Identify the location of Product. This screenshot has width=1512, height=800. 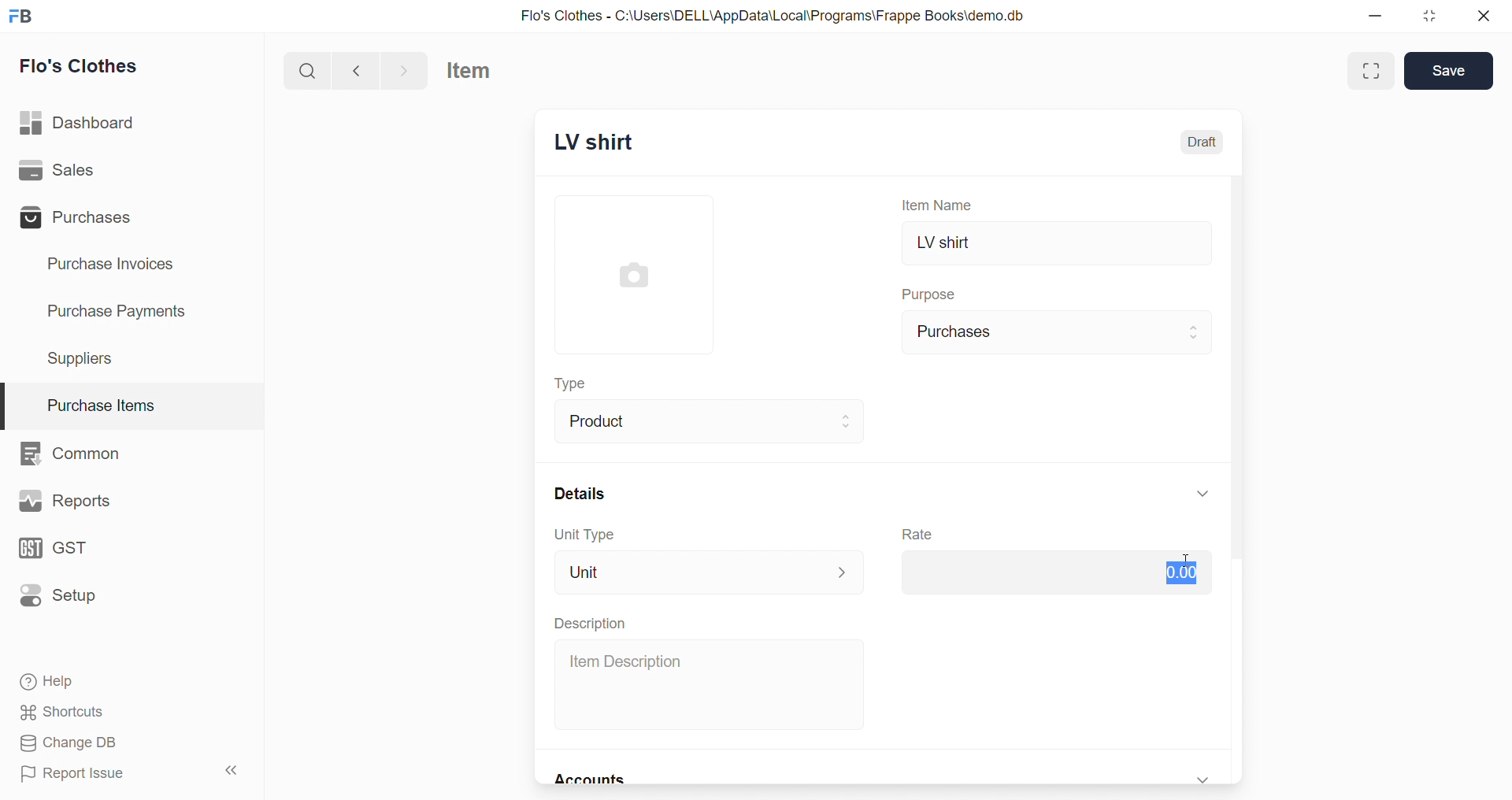
(713, 420).